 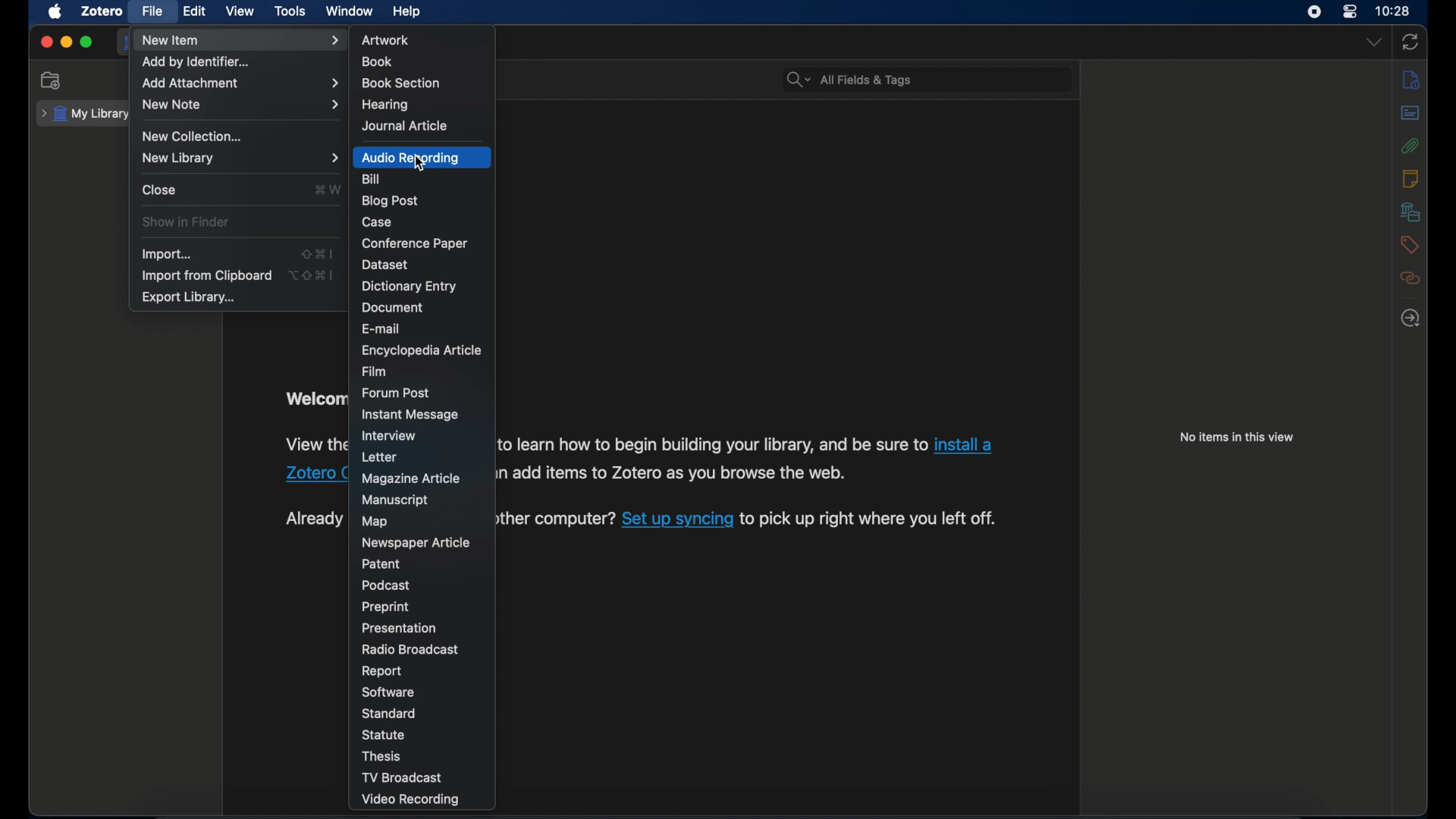 I want to click on window, so click(x=350, y=11).